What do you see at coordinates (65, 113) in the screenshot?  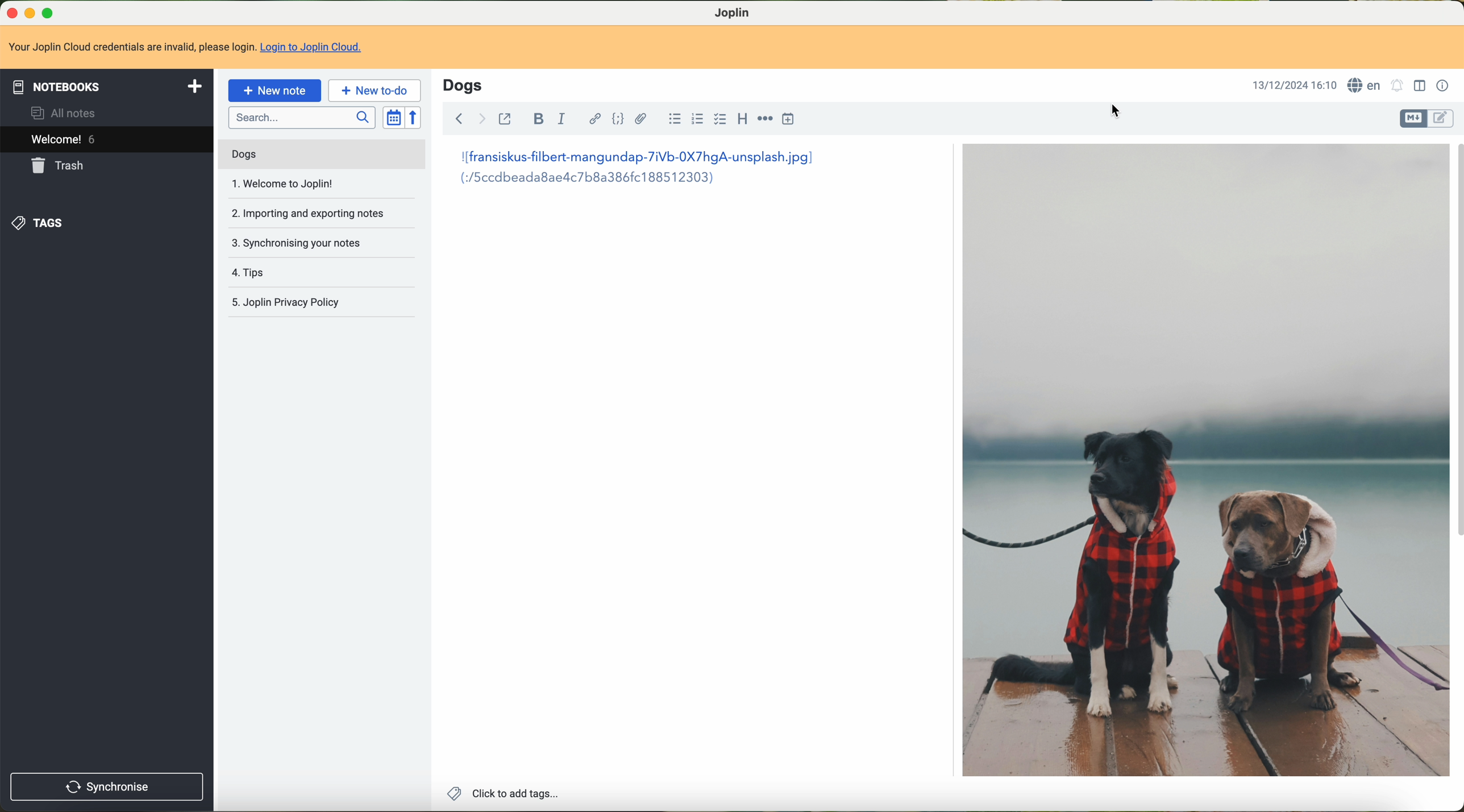 I see `all notes` at bounding box center [65, 113].